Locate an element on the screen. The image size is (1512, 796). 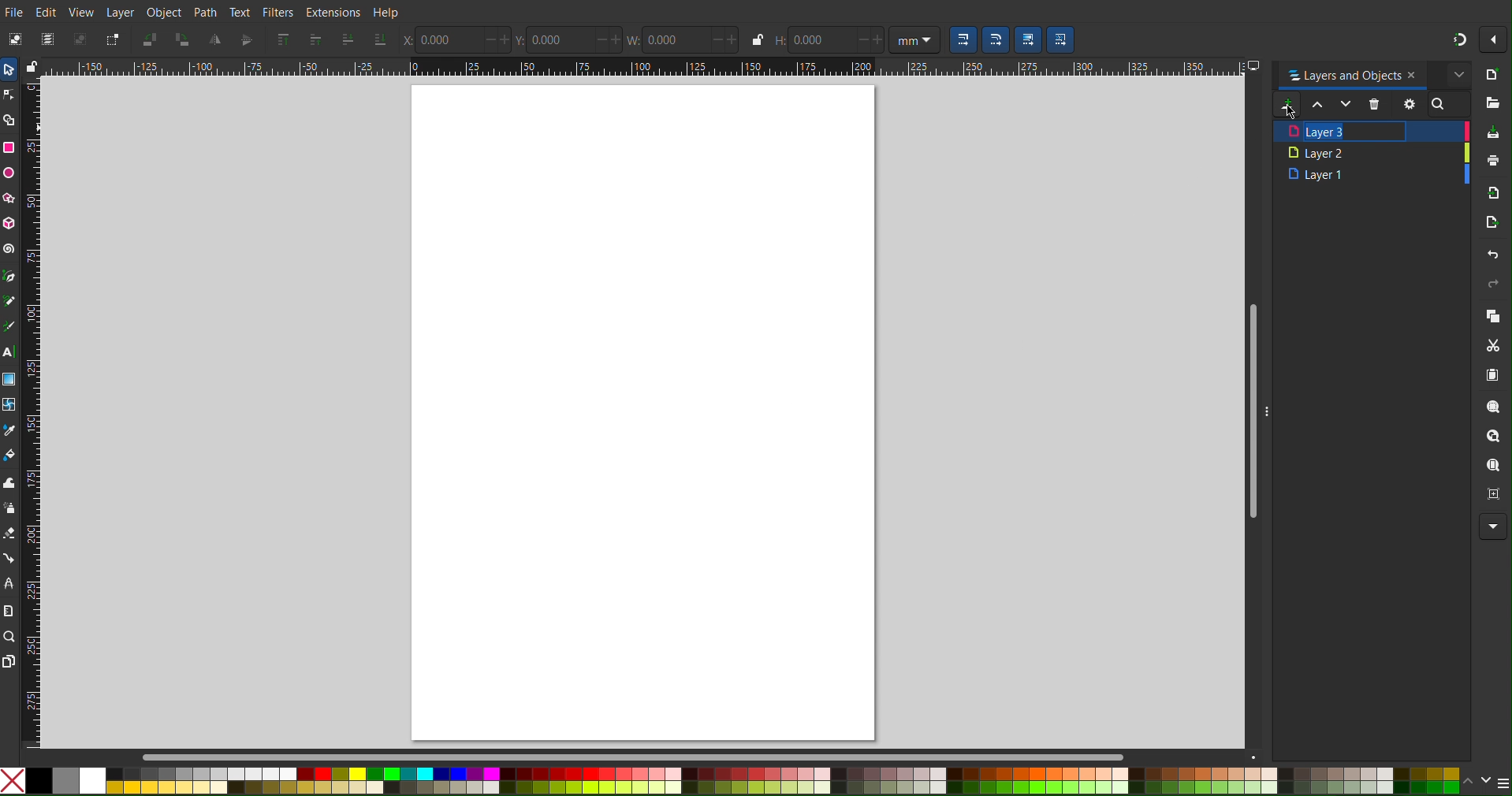
Calligraphy Tool is located at coordinates (13, 324).